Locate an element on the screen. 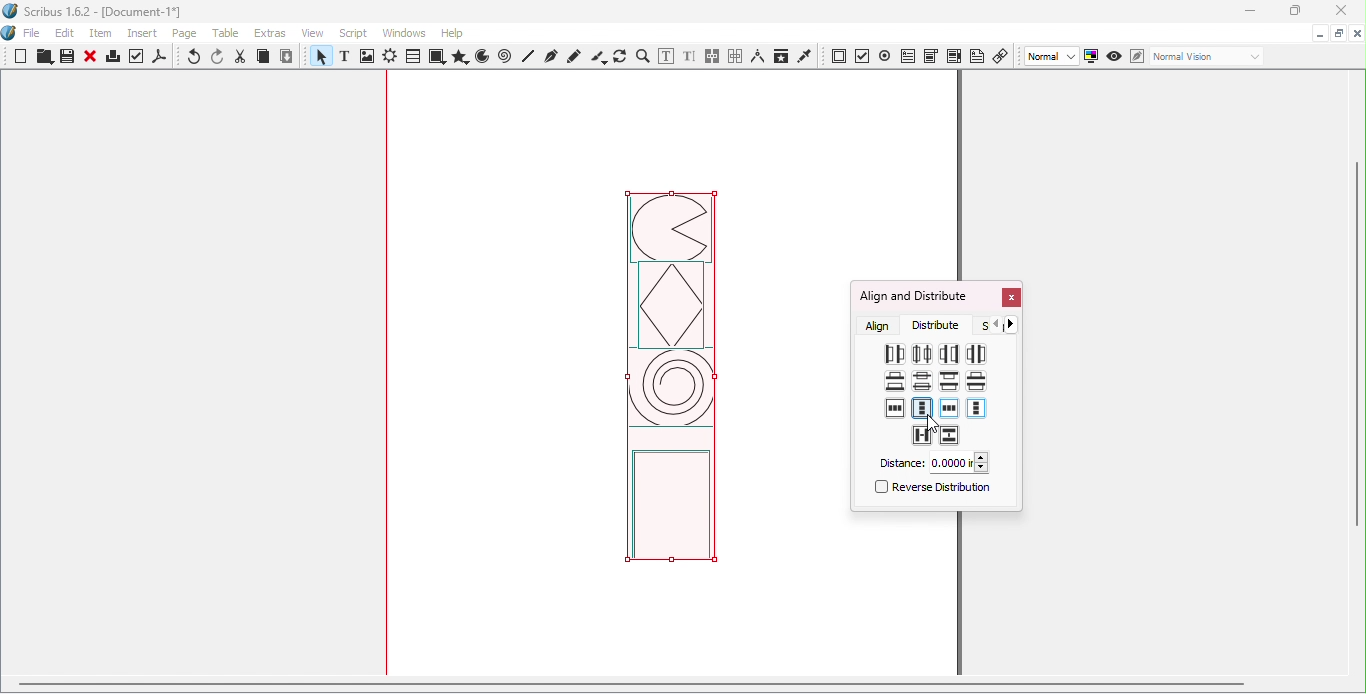  PDF check button is located at coordinates (863, 55).